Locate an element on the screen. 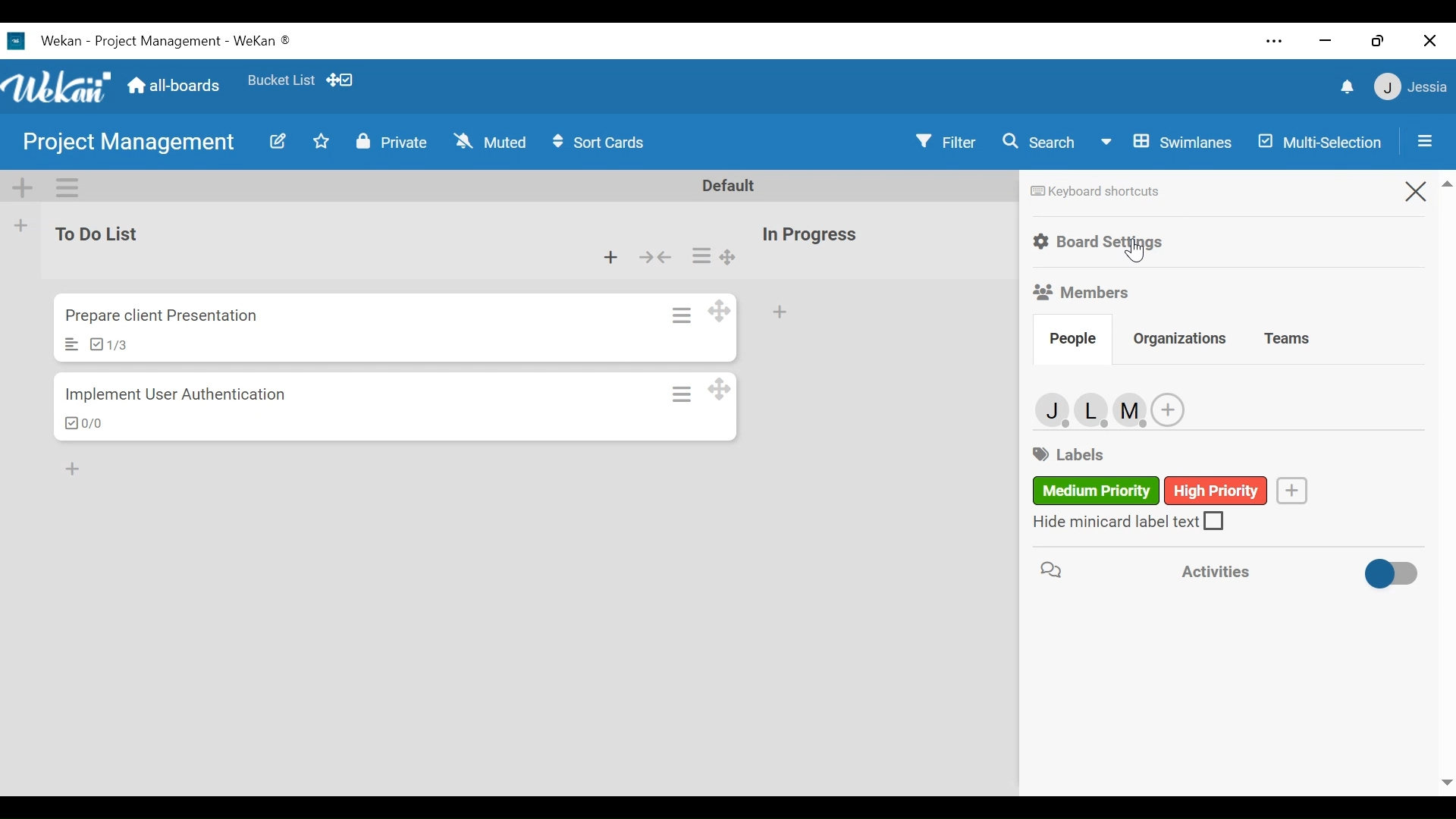 This screenshot has width=1456, height=819. member 3 is located at coordinates (1134, 411).